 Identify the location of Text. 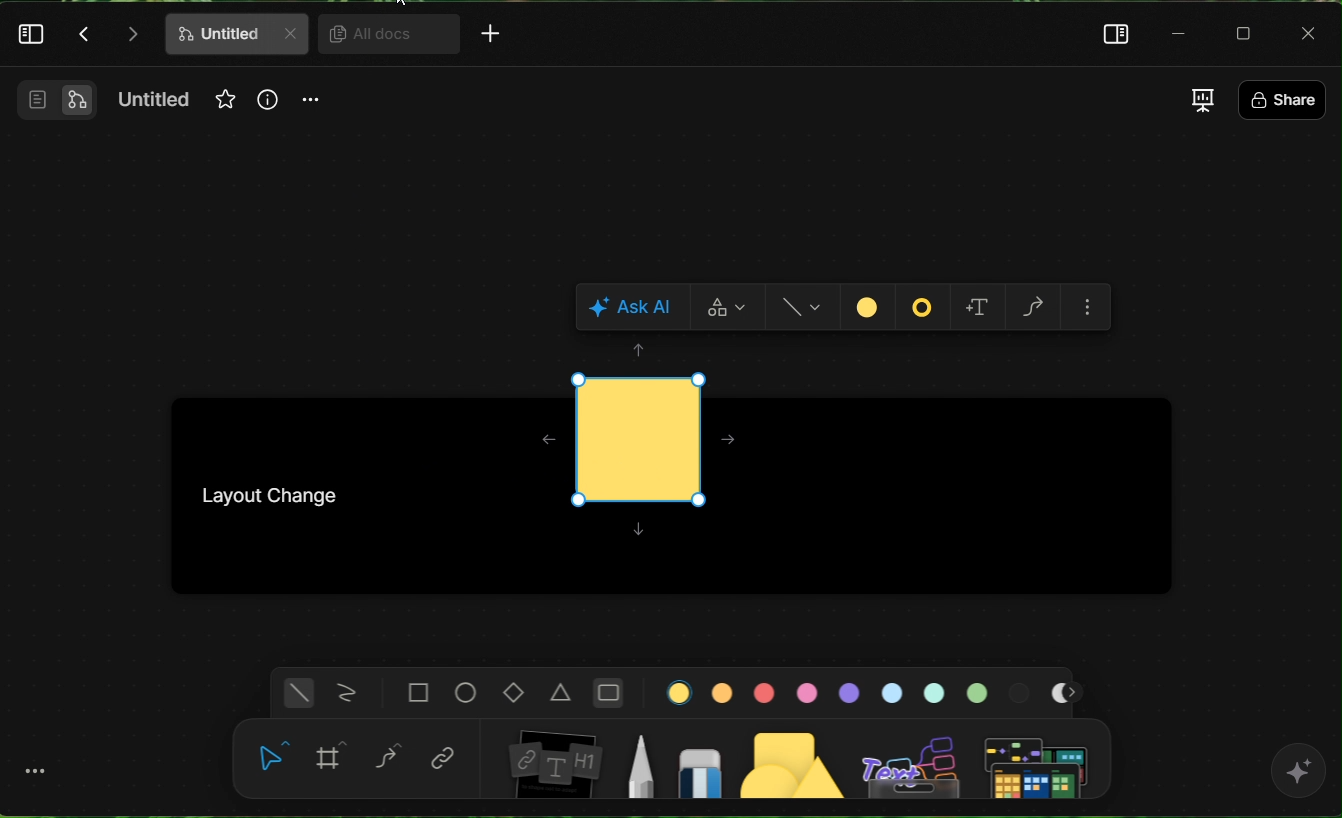
(975, 307).